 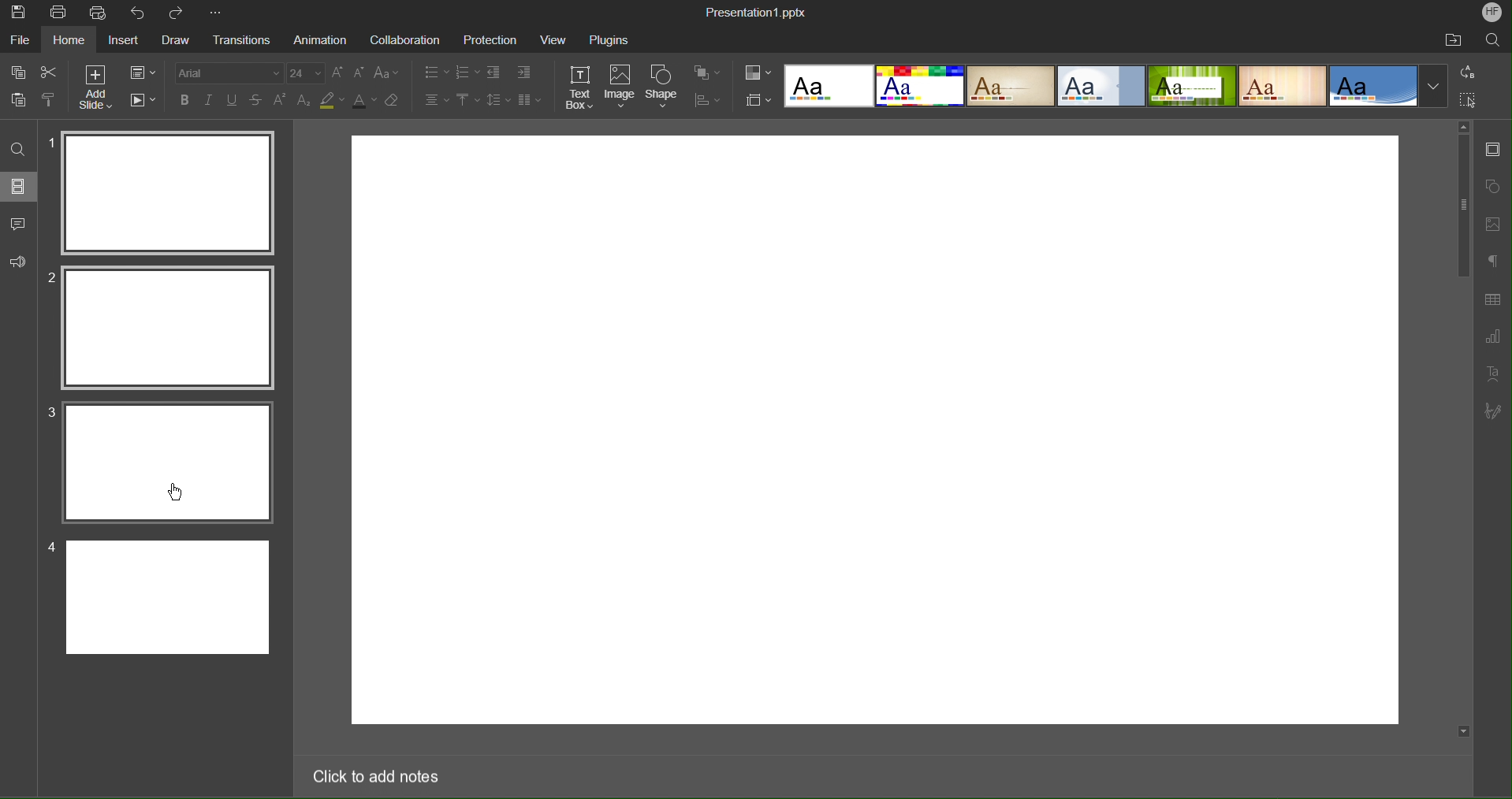 What do you see at coordinates (527, 98) in the screenshot?
I see `Columns` at bounding box center [527, 98].